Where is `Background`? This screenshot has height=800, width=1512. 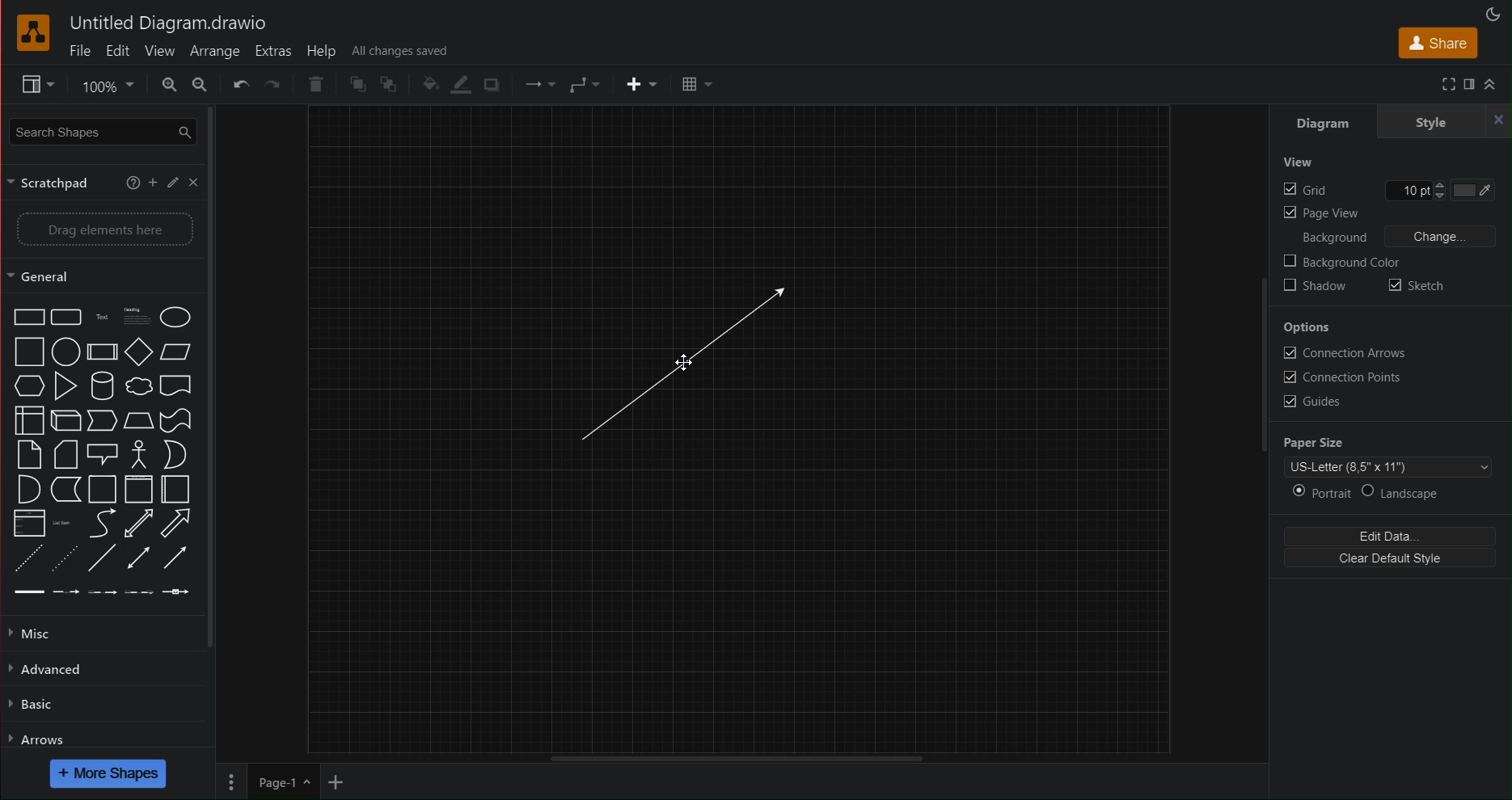
Background is located at coordinates (1332, 238).